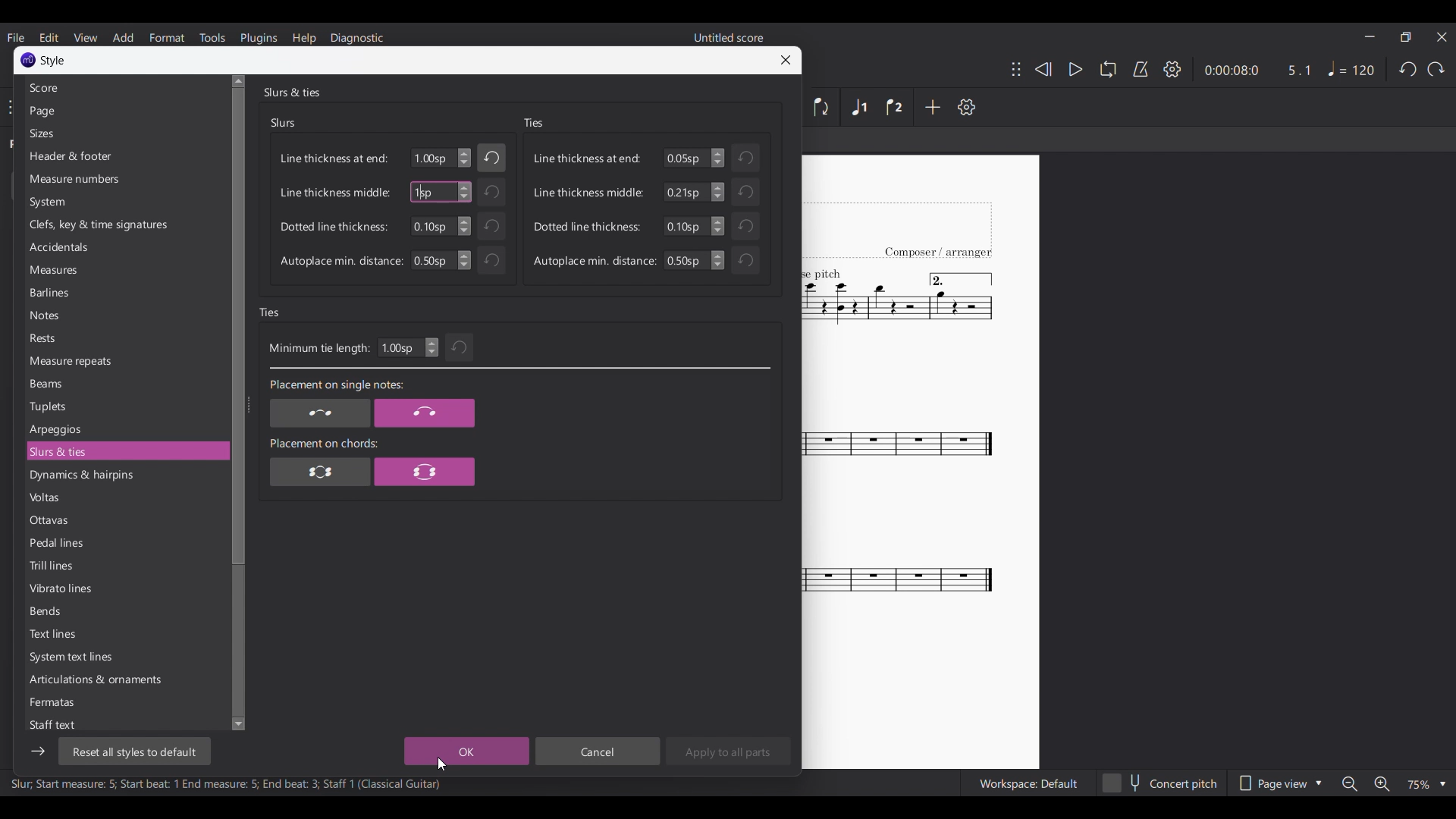 This screenshot has height=819, width=1456. What do you see at coordinates (686, 226) in the screenshot?
I see `Input dotted line thinkness` at bounding box center [686, 226].